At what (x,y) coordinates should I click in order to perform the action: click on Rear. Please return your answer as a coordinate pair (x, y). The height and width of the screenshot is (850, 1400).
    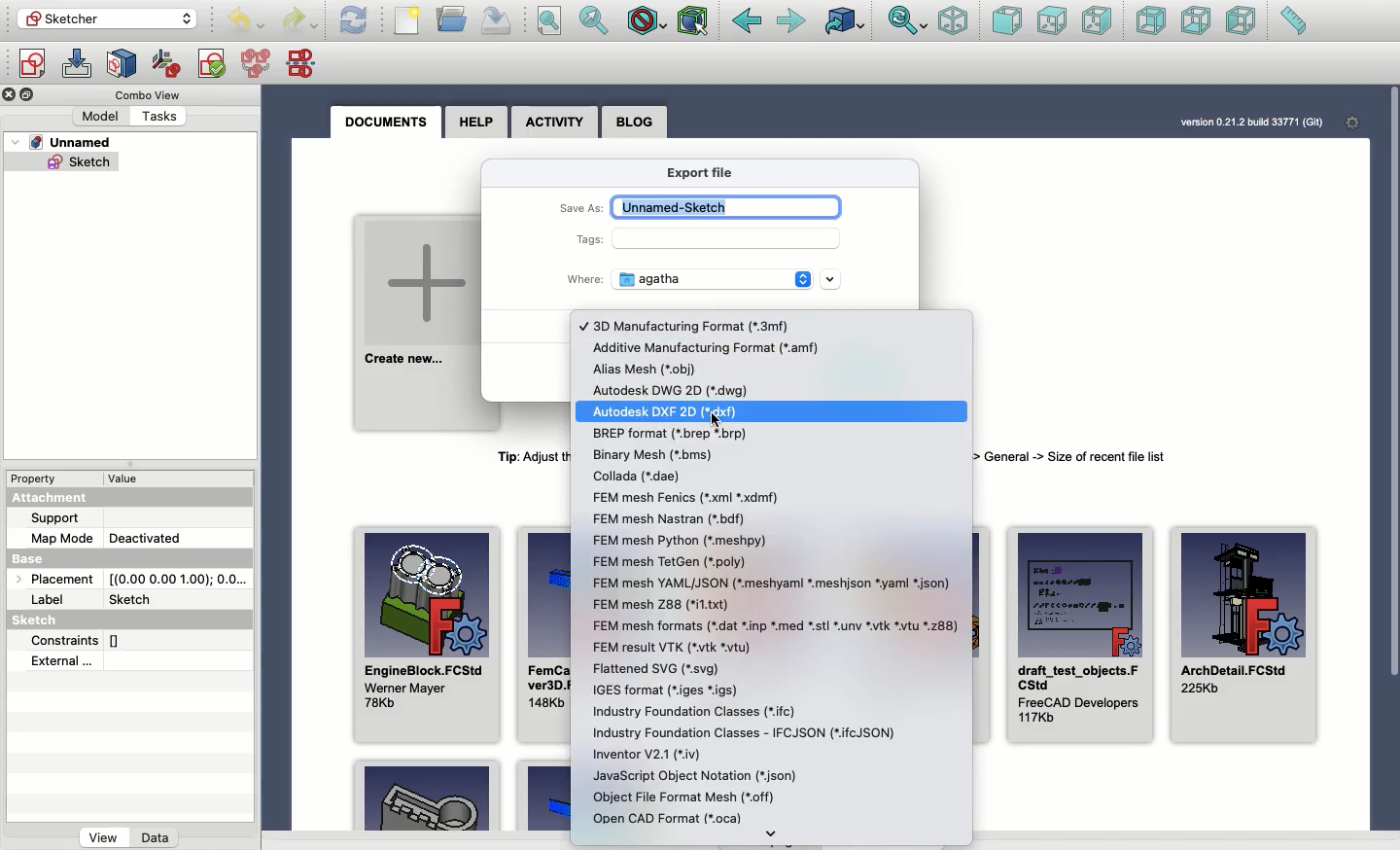
    Looking at the image, I should click on (1150, 22).